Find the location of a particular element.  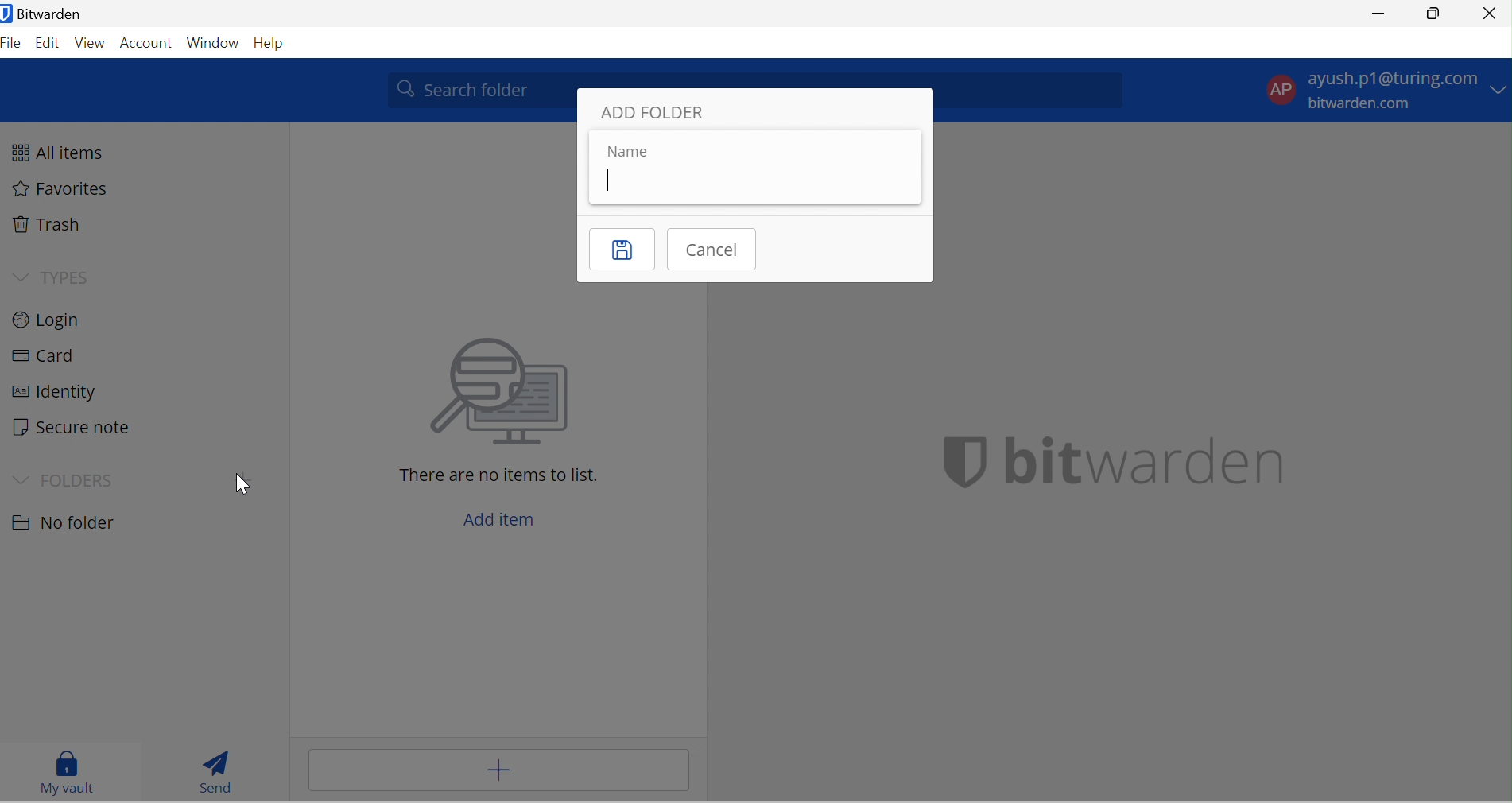

TYPES is located at coordinates (71, 273).